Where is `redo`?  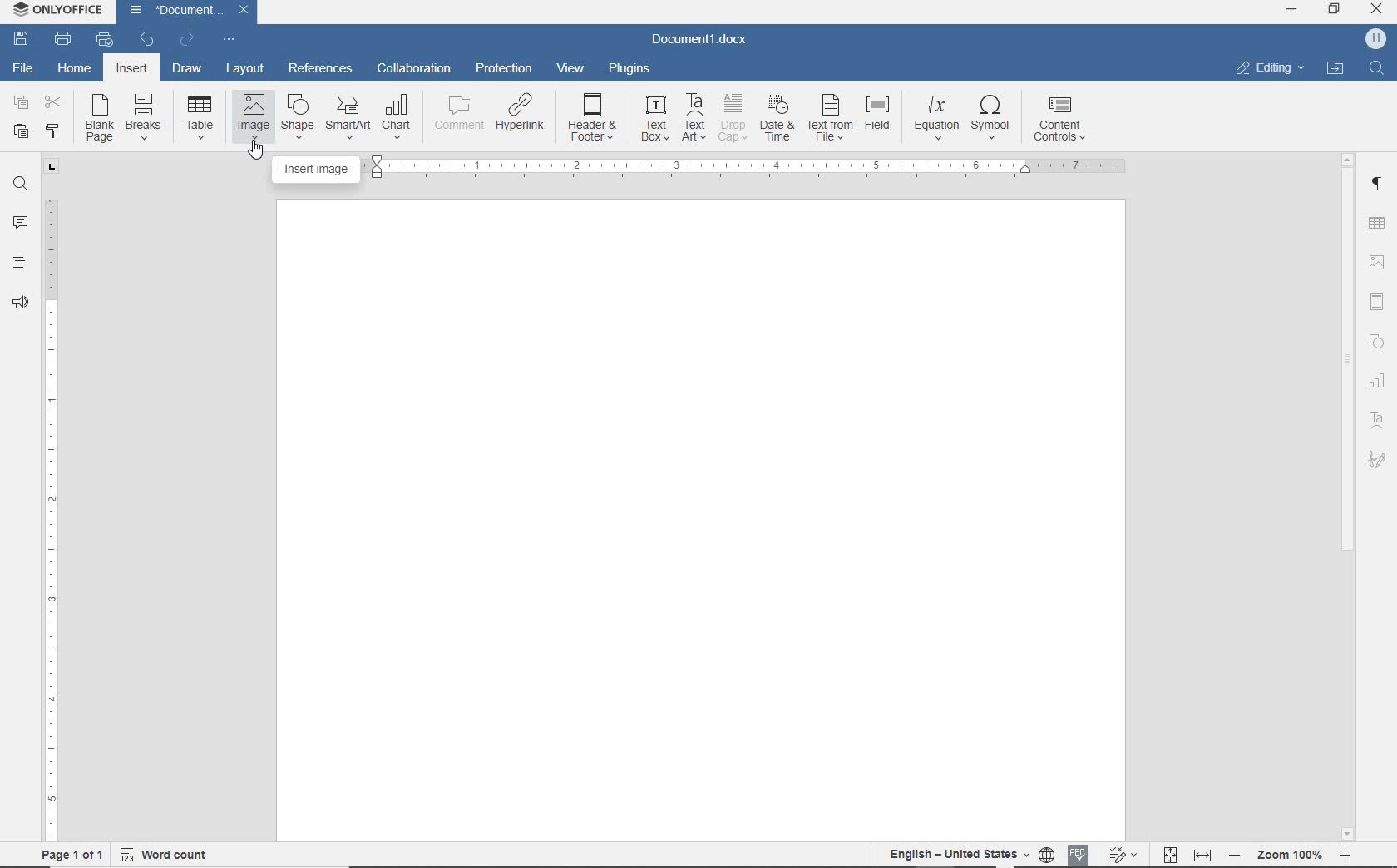
redo is located at coordinates (186, 40).